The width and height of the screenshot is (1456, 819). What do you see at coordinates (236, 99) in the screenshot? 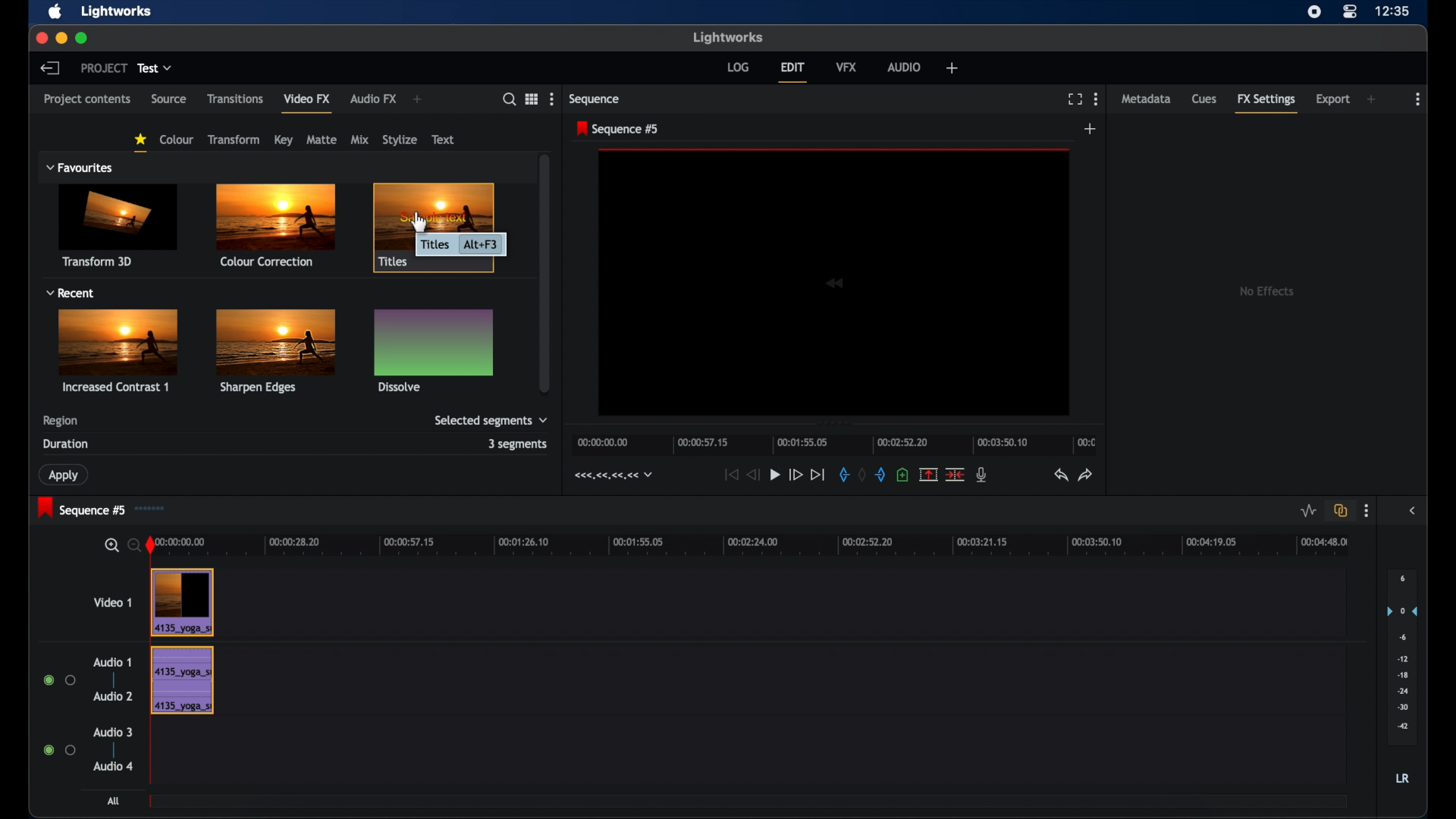
I see `transitions` at bounding box center [236, 99].